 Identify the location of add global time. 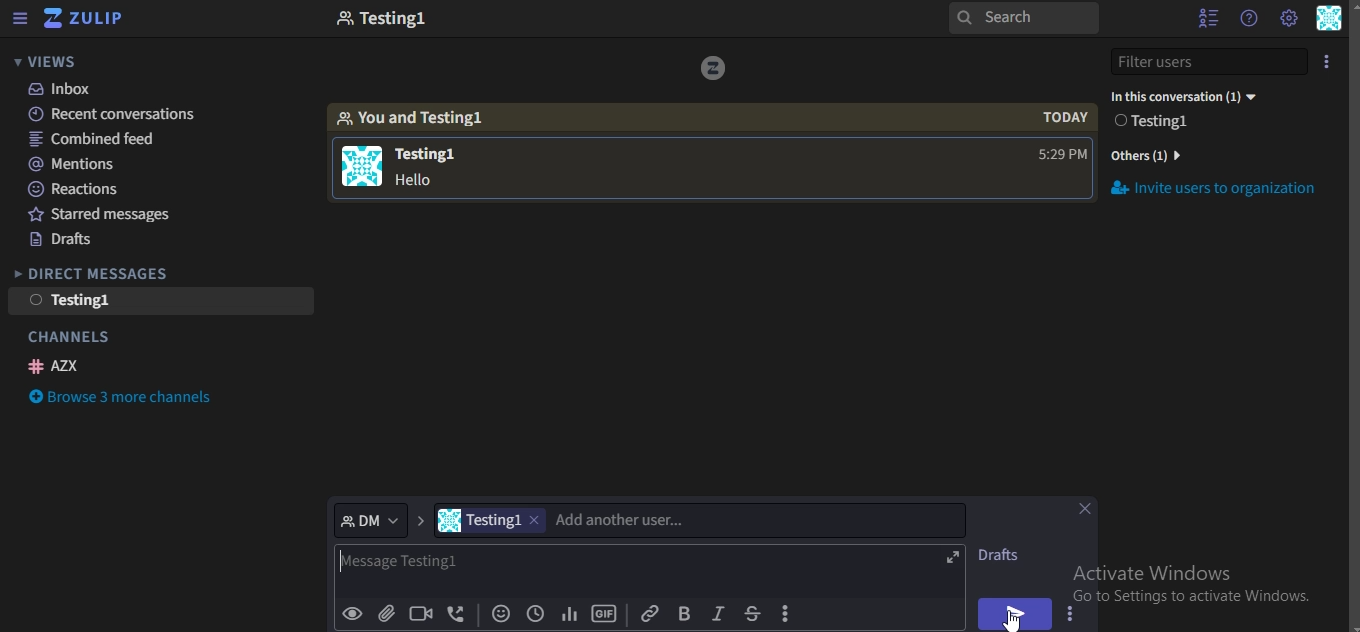
(533, 615).